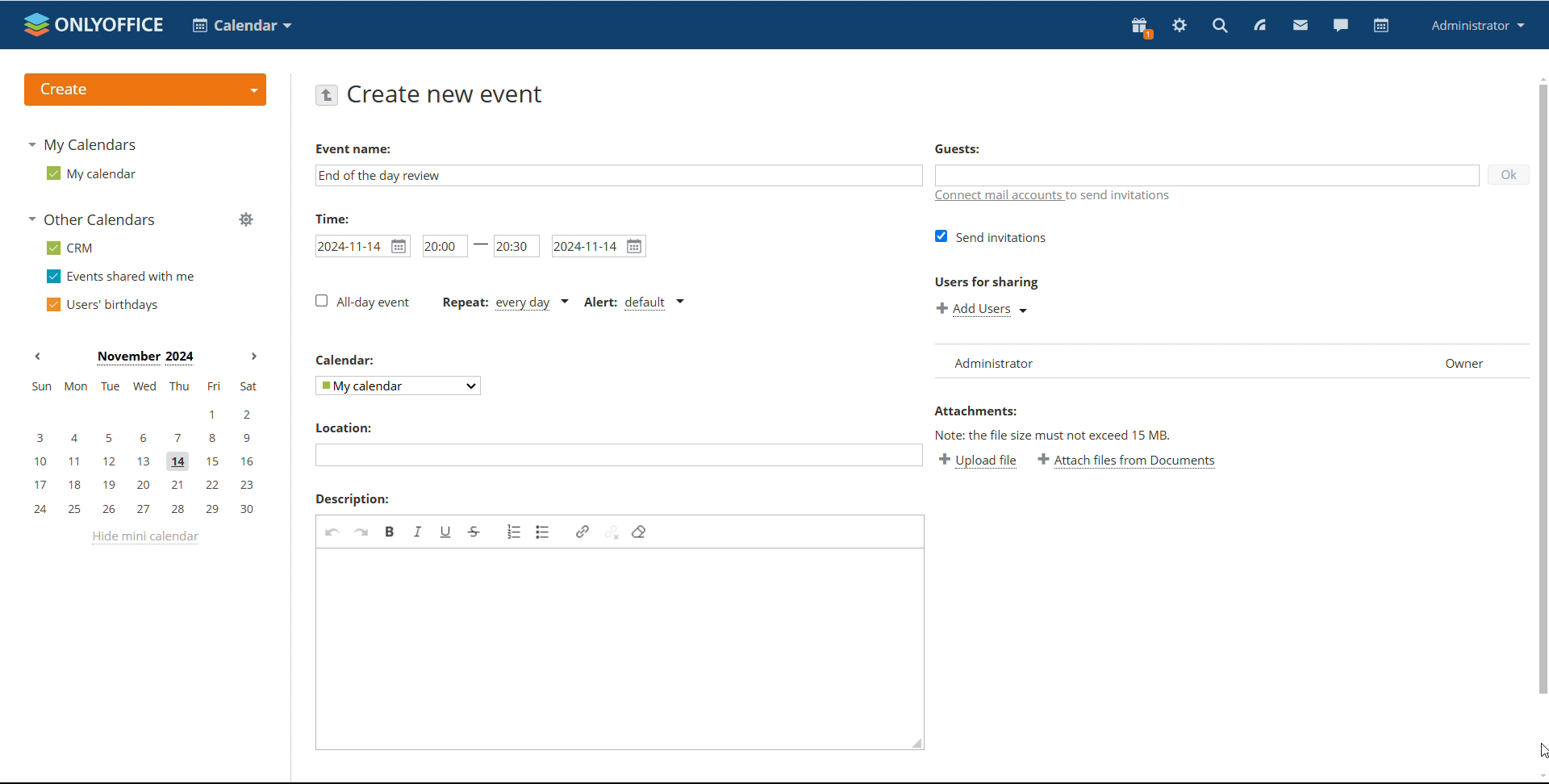  Describe the element at coordinates (1140, 27) in the screenshot. I see `present` at that location.